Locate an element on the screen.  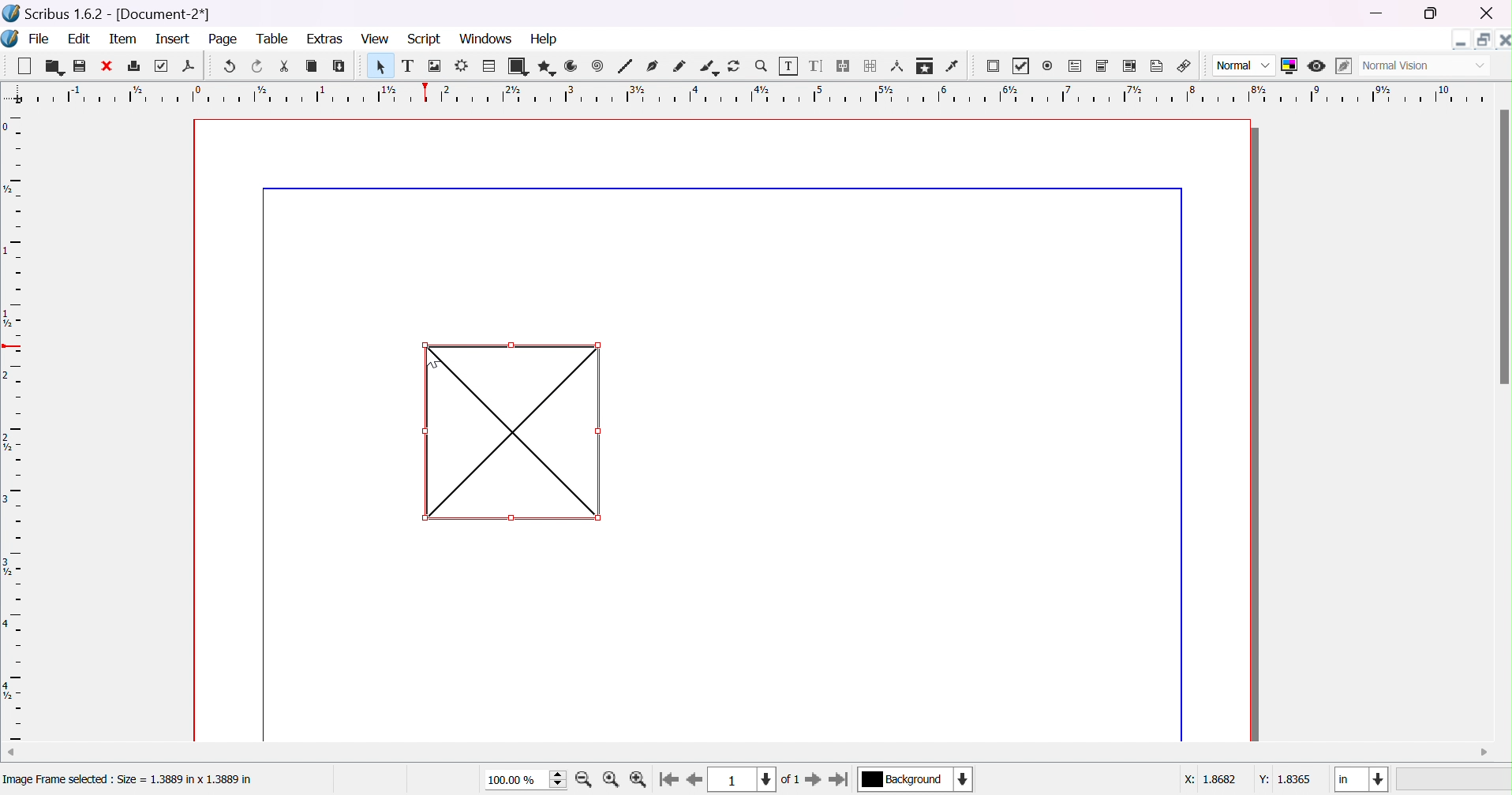
render frame is located at coordinates (462, 65).